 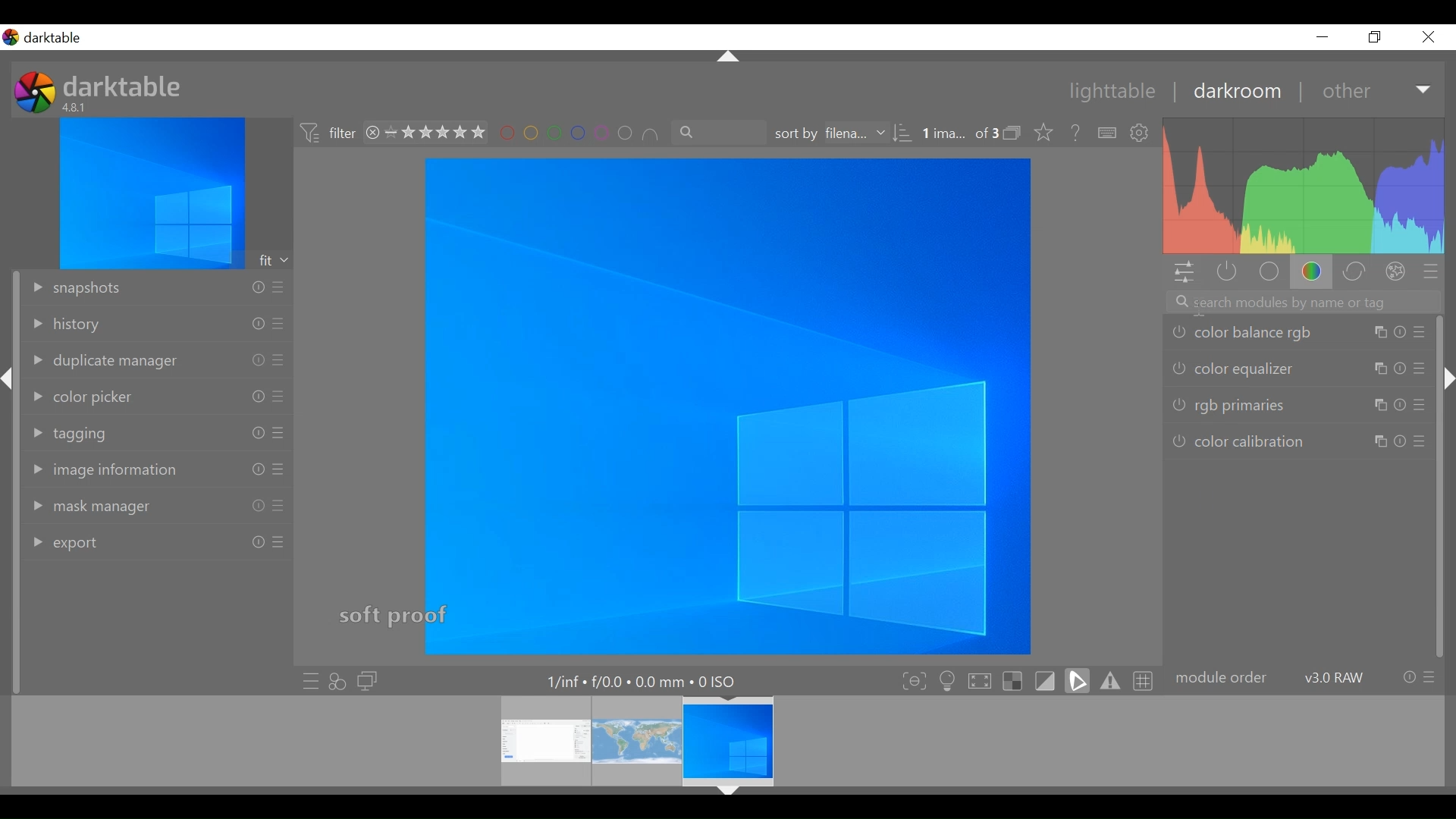 What do you see at coordinates (1427, 37) in the screenshot?
I see `close` at bounding box center [1427, 37].